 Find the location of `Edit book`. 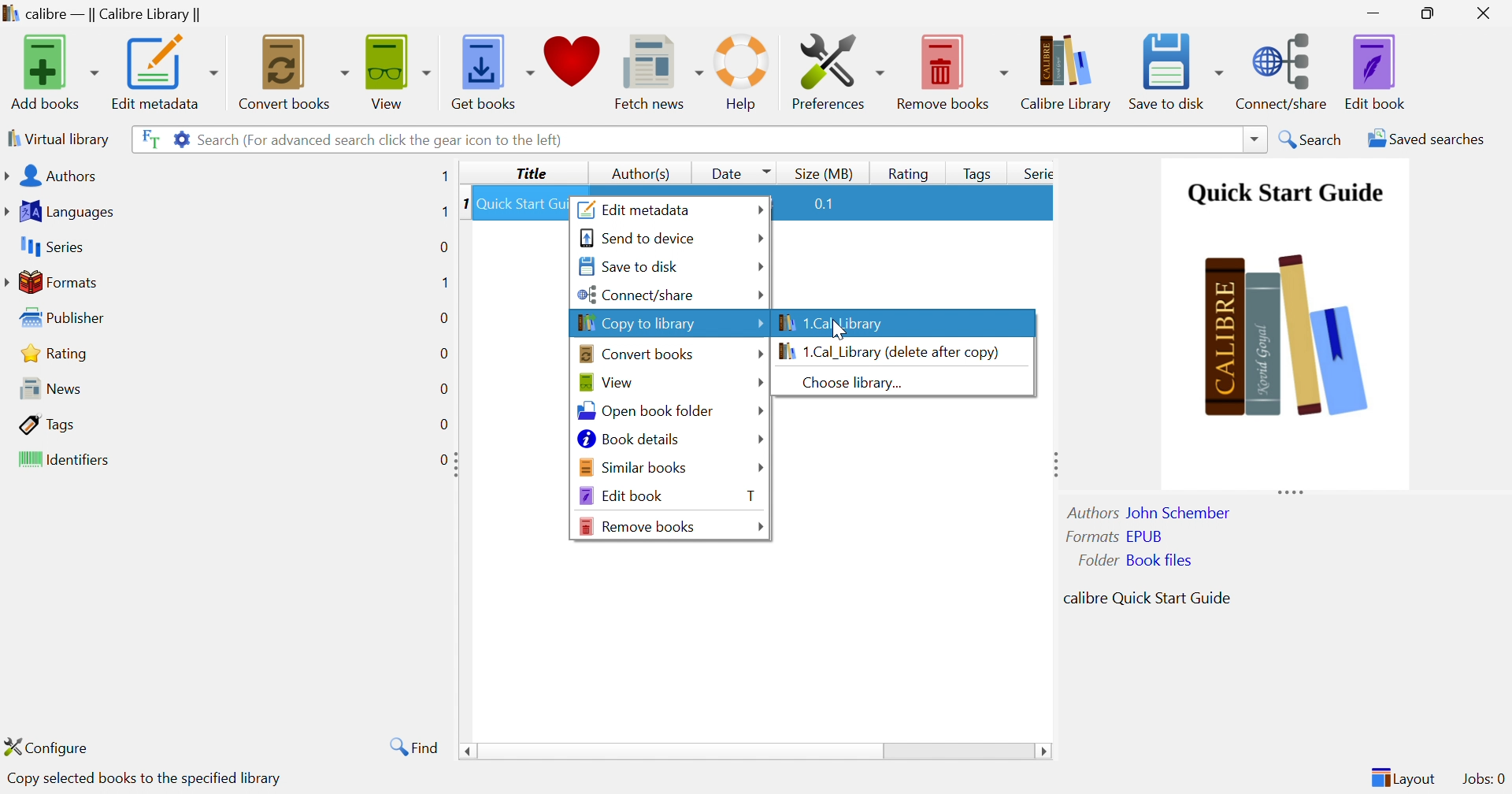

Edit book is located at coordinates (620, 495).